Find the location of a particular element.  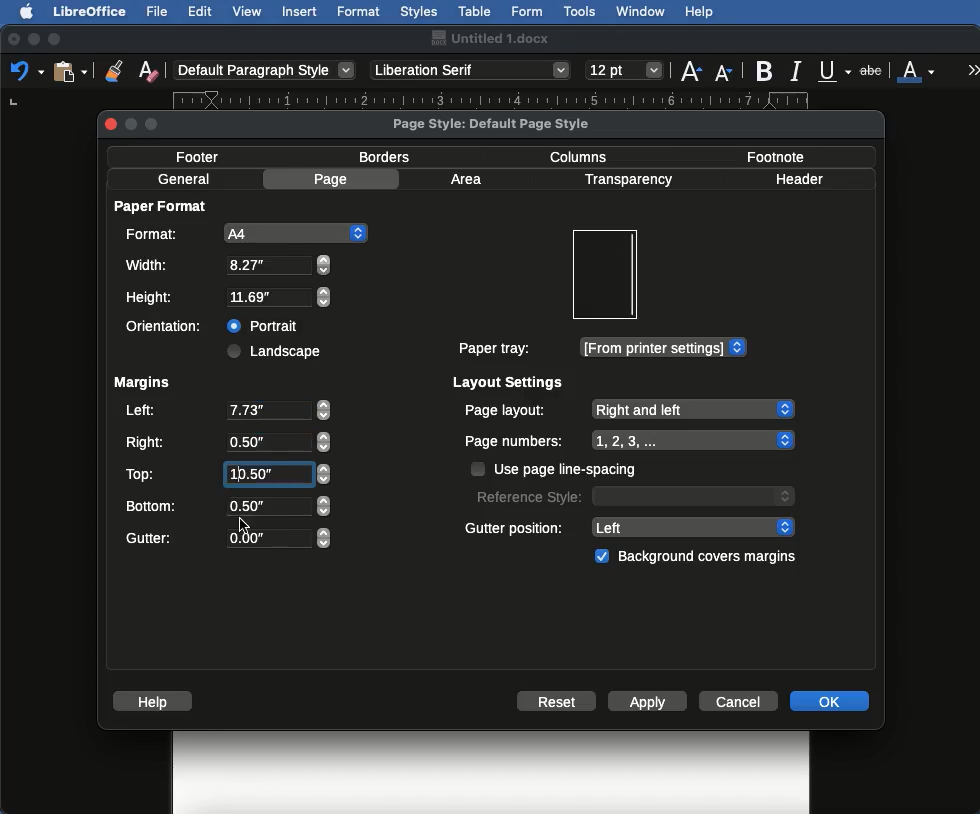

Styles is located at coordinates (418, 11).